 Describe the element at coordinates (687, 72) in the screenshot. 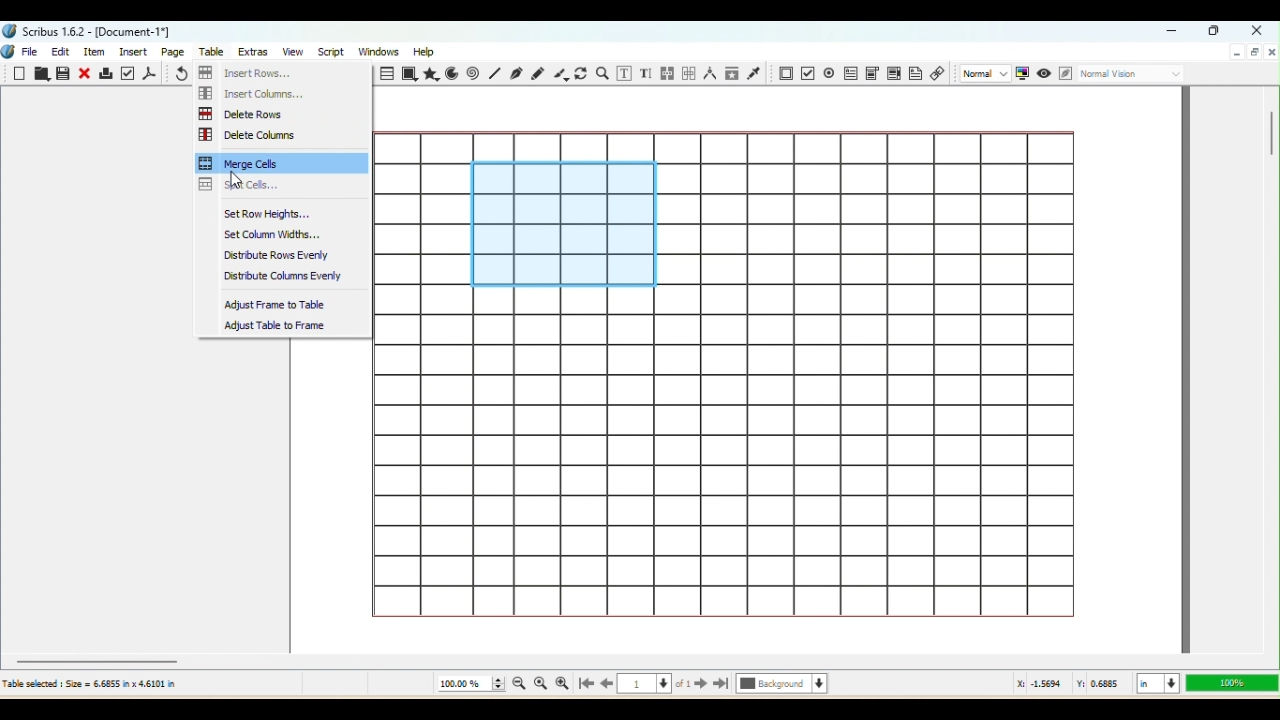

I see `Unlink text frames` at that location.